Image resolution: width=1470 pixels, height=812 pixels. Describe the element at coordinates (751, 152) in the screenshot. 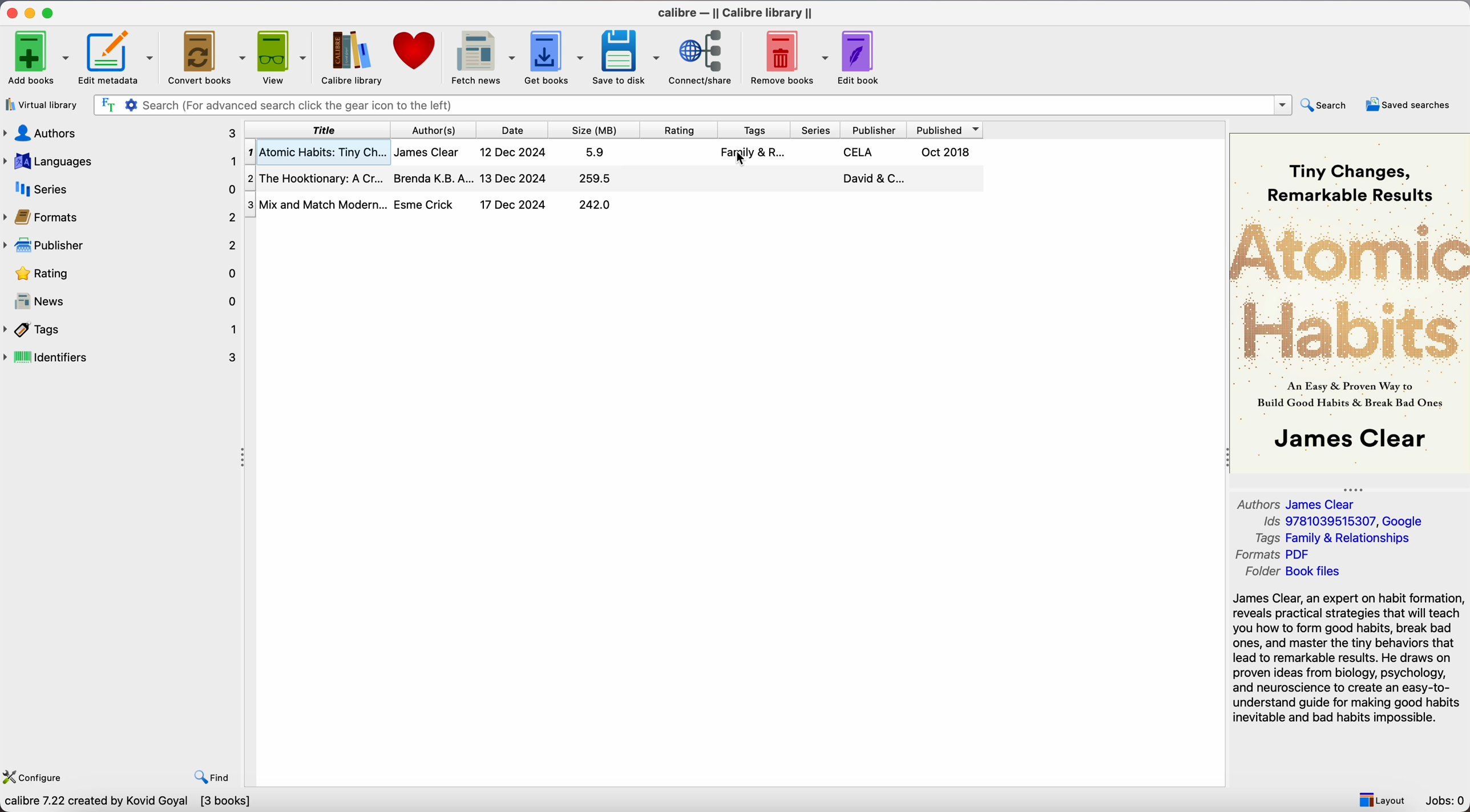

I see `Family & R..` at that location.